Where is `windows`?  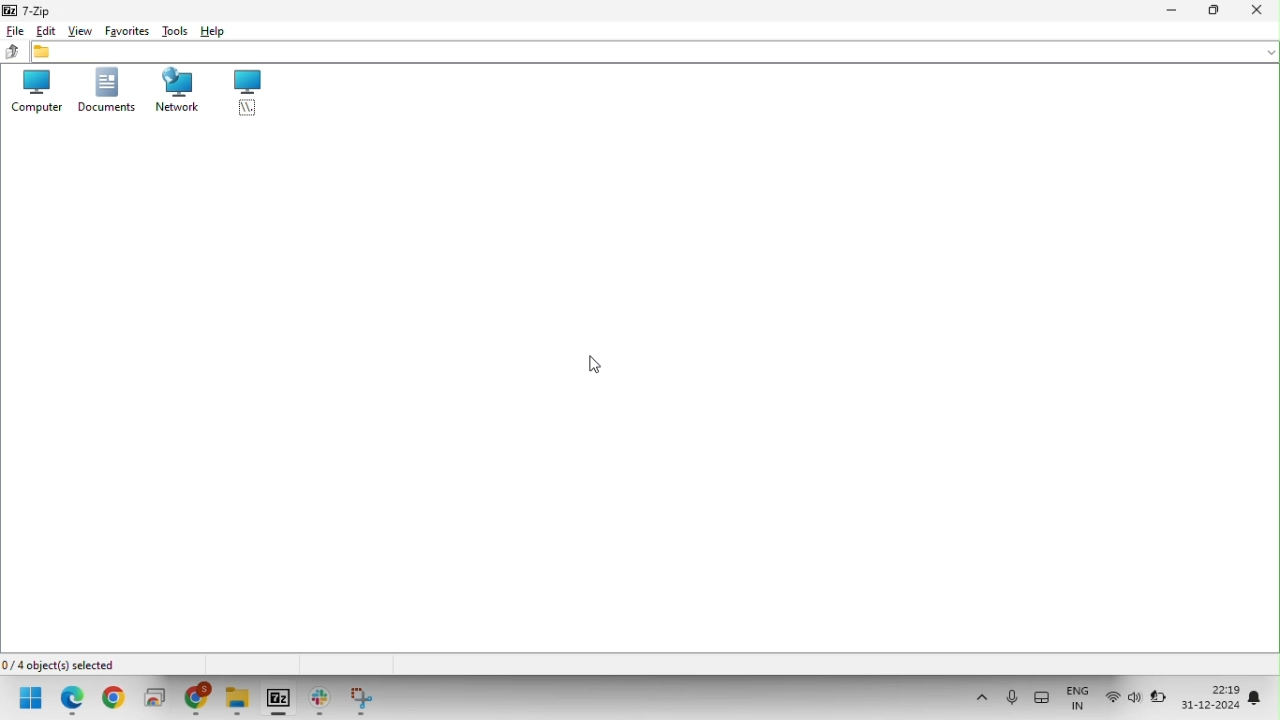 windows is located at coordinates (31, 701).